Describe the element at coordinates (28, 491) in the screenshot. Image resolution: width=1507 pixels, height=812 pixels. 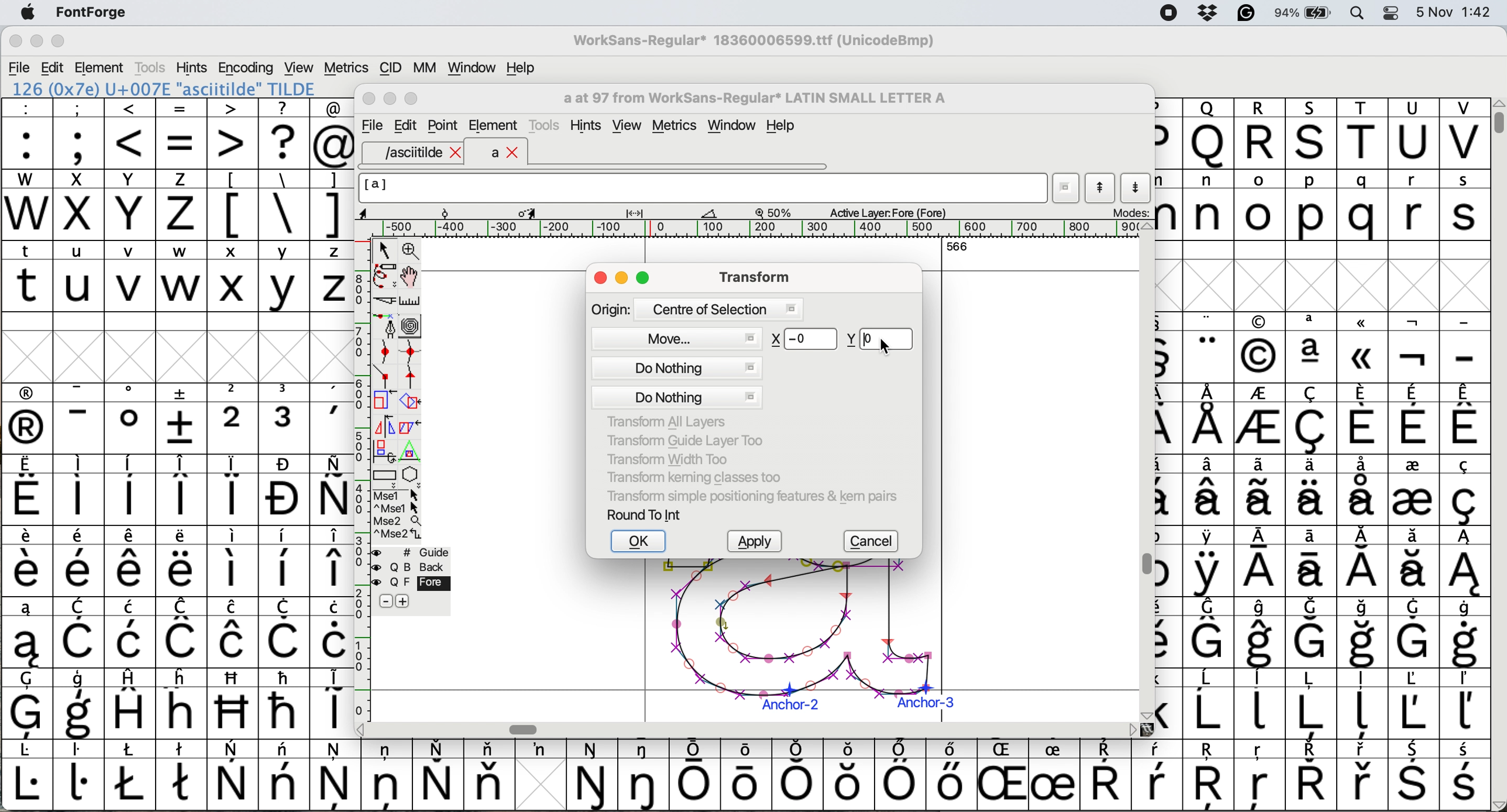
I see `symbol` at that location.